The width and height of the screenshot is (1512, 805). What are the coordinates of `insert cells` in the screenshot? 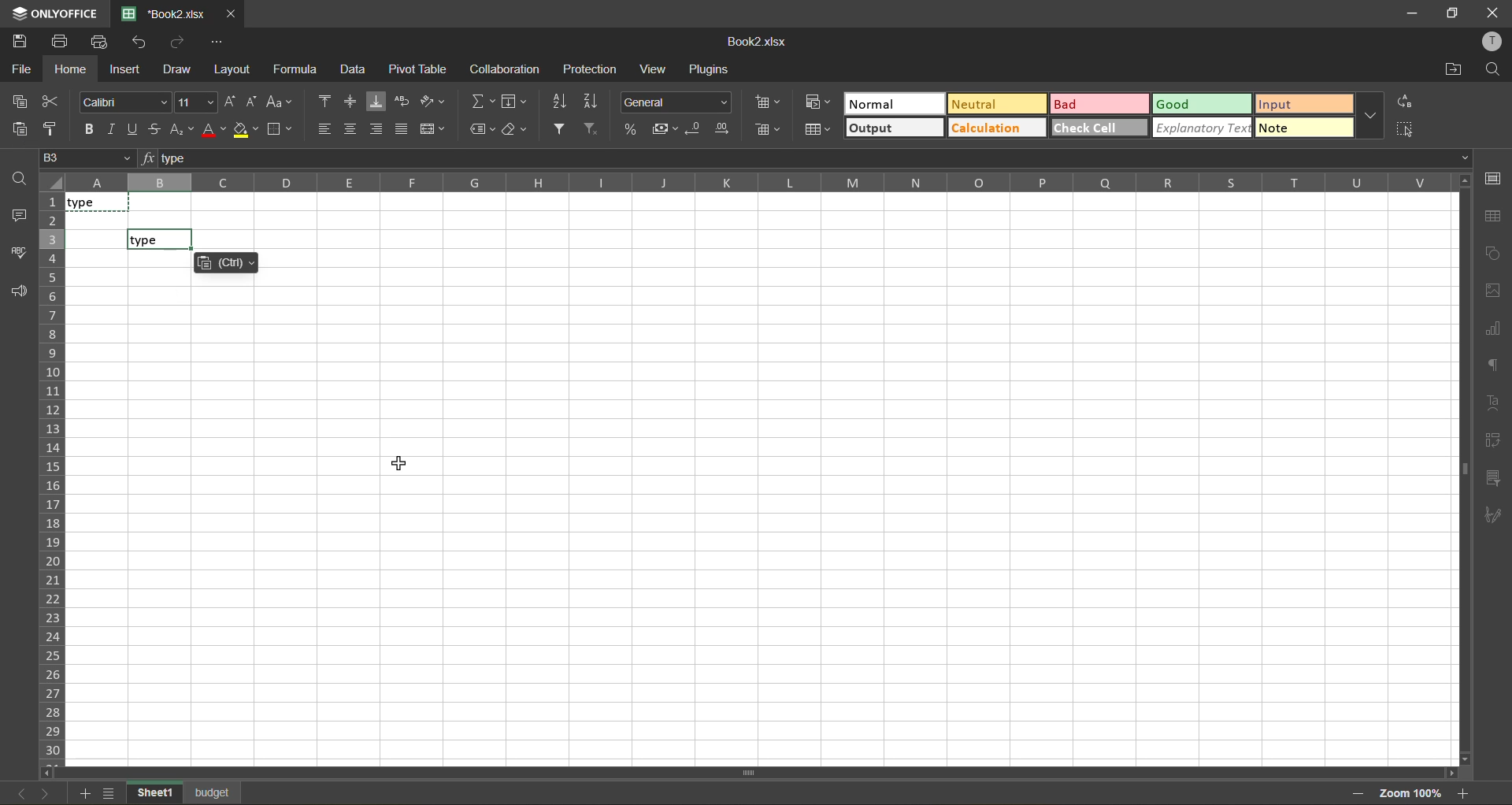 It's located at (769, 102).